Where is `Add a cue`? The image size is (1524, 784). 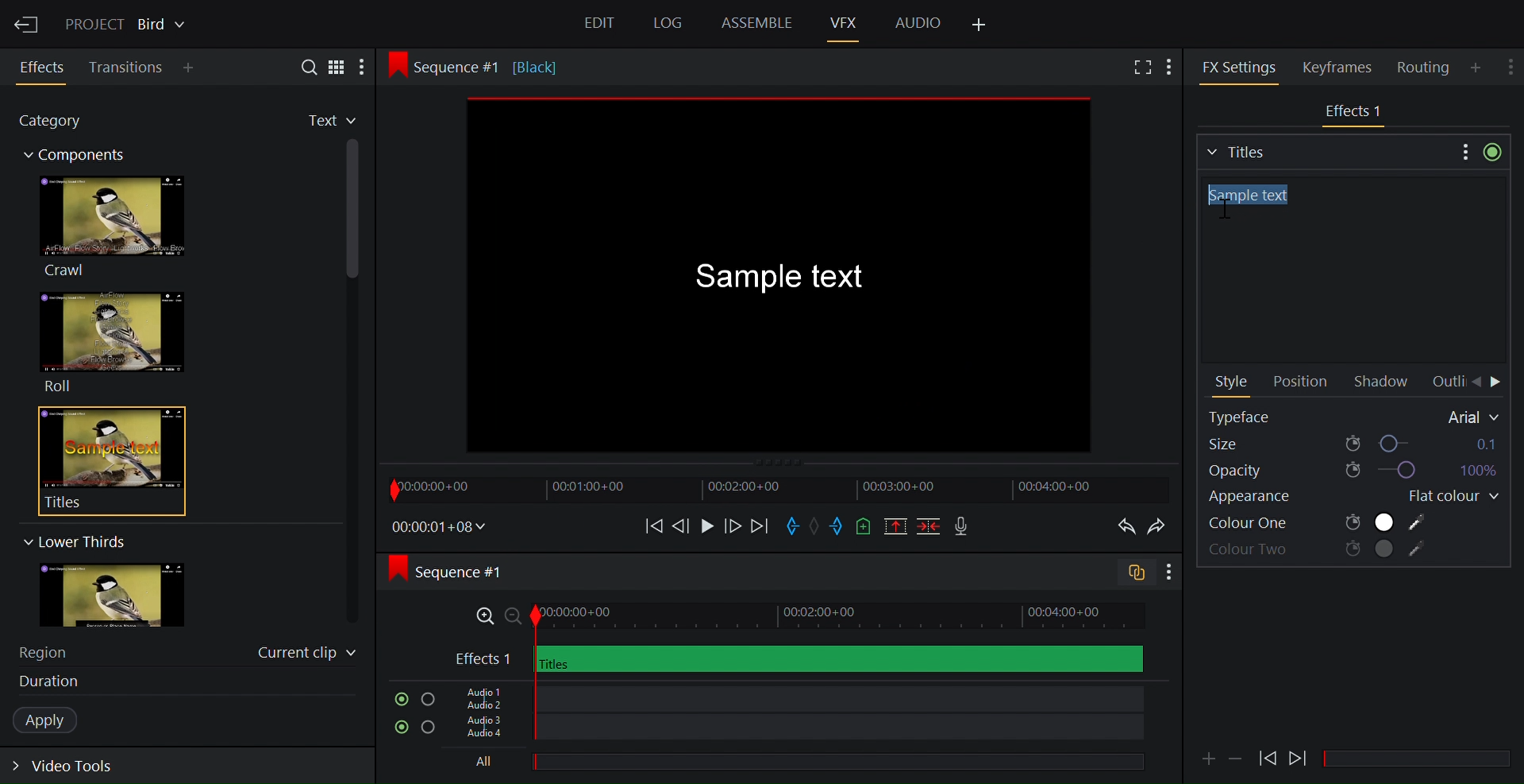 Add a cue is located at coordinates (864, 528).